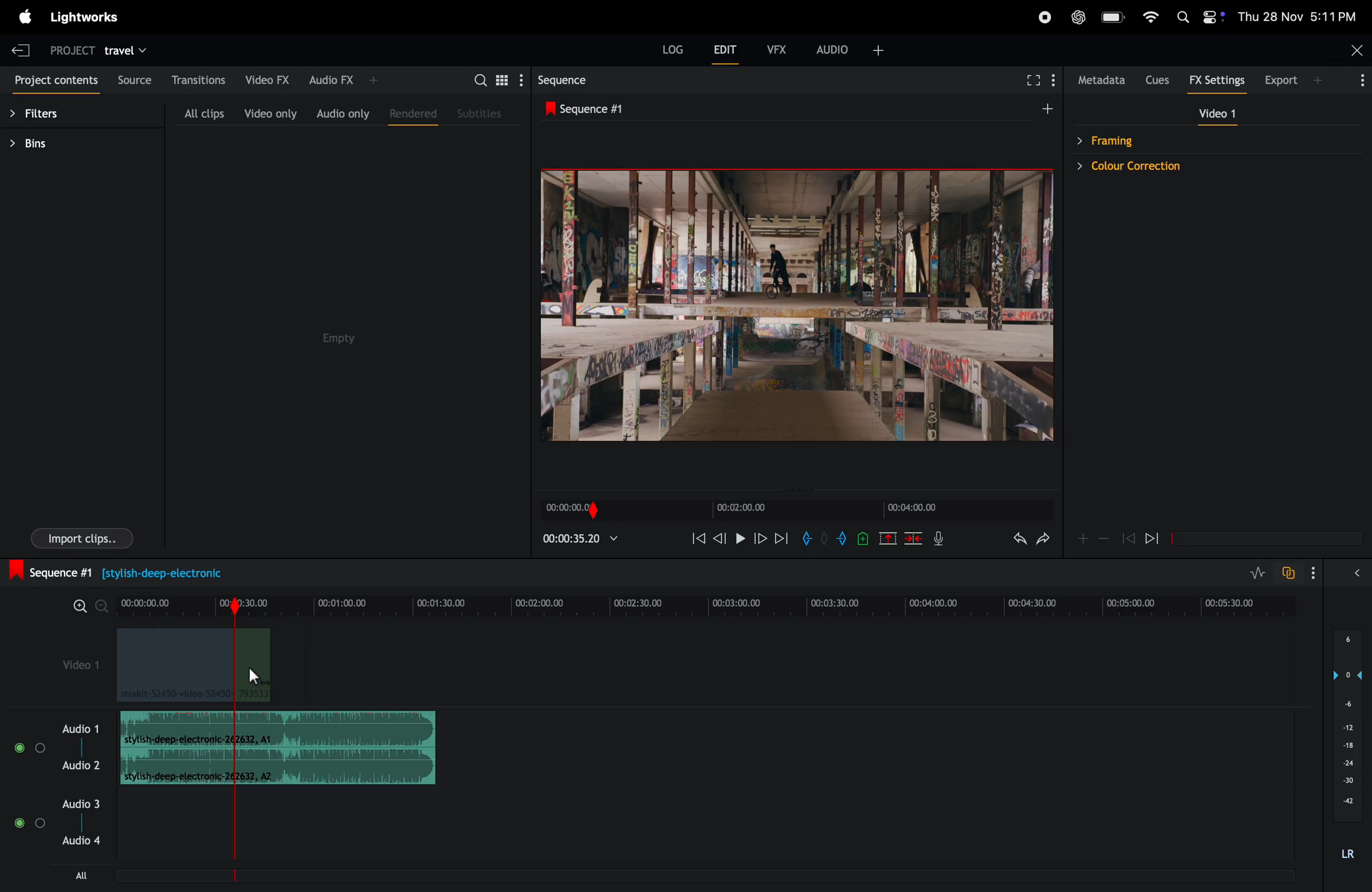 The height and width of the screenshot is (892, 1372). Describe the element at coordinates (1032, 78) in the screenshot. I see `full screen` at that location.